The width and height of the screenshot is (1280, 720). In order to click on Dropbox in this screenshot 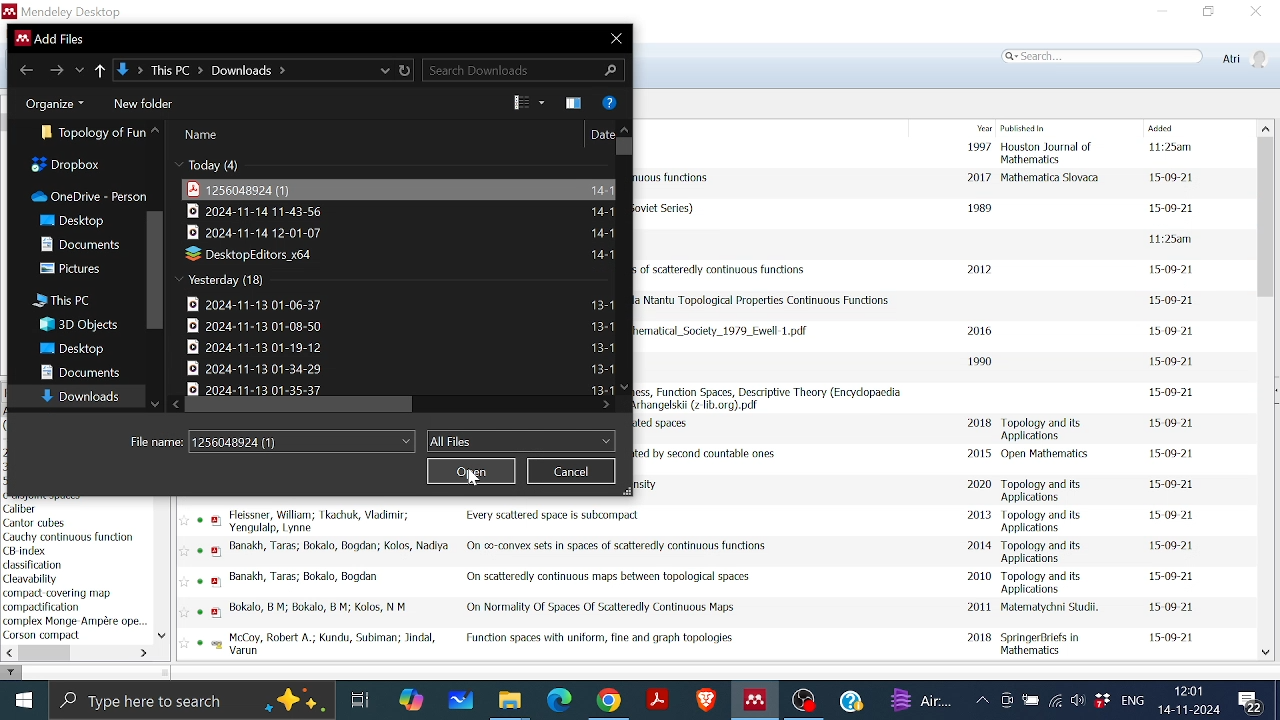, I will do `click(1101, 699)`.